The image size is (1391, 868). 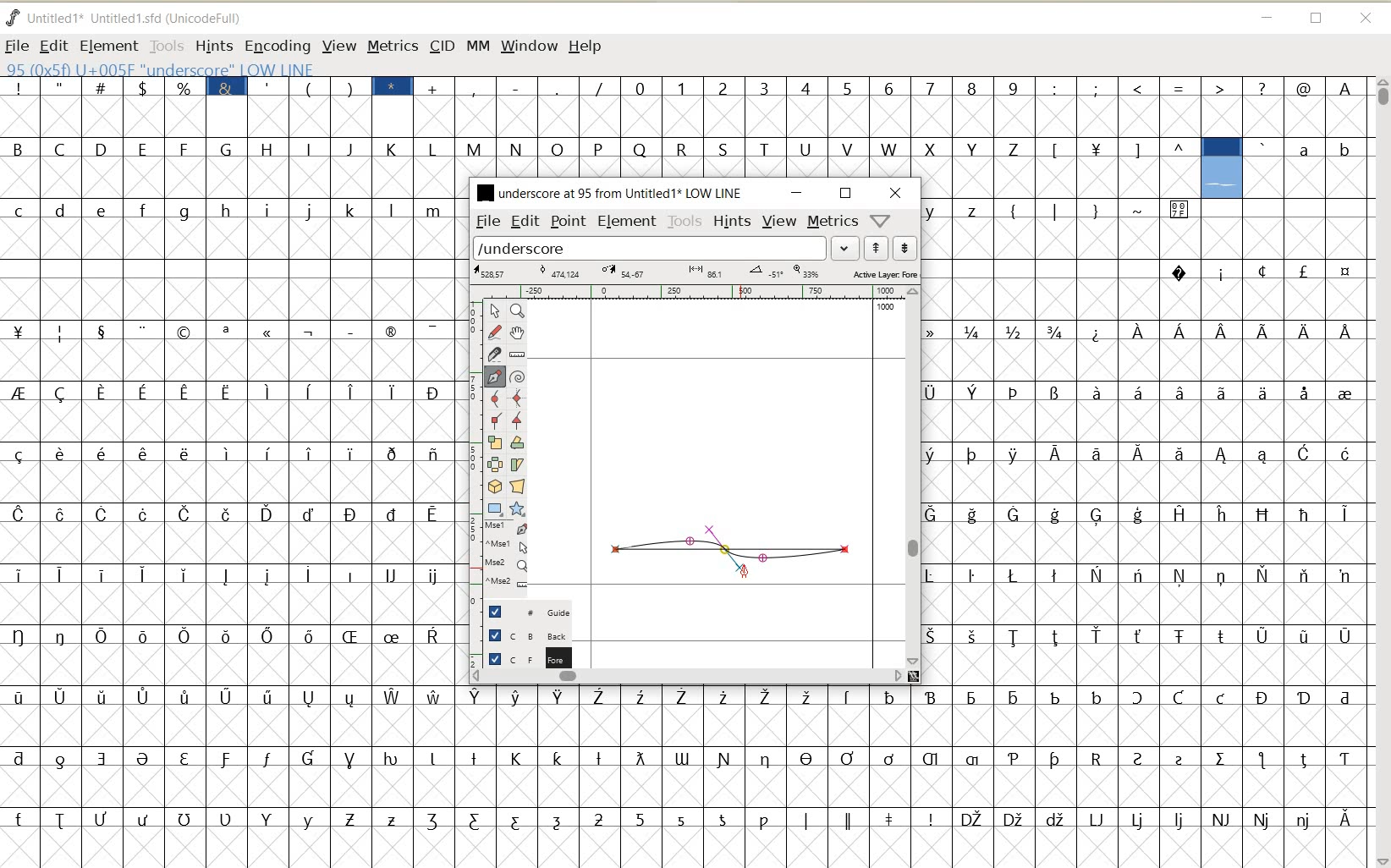 What do you see at coordinates (1317, 19) in the screenshot?
I see `RESTORE` at bounding box center [1317, 19].